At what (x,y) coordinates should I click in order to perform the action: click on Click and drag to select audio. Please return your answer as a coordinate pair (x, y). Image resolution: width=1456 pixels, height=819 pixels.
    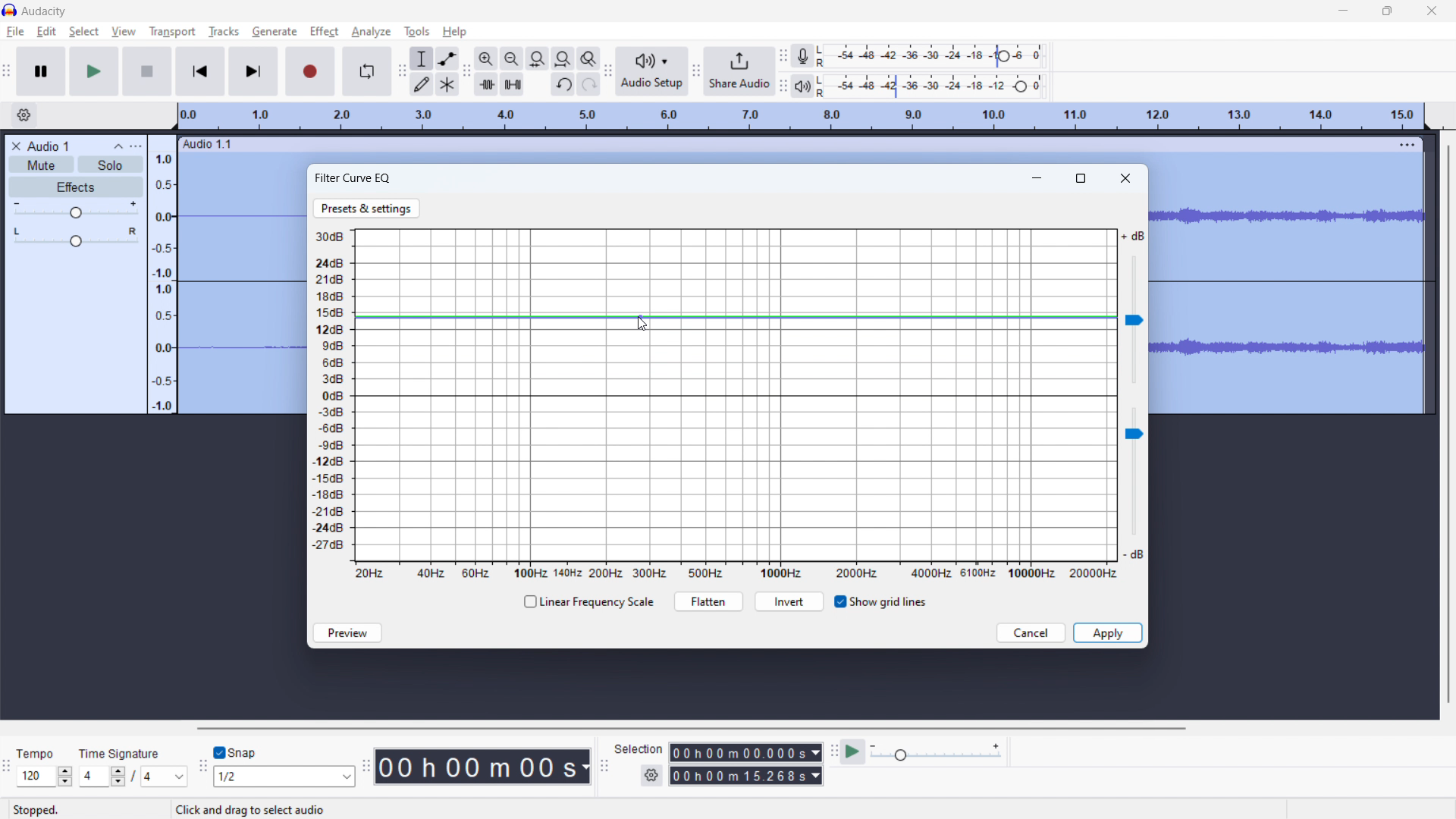
    Looking at the image, I should click on (249, 809).